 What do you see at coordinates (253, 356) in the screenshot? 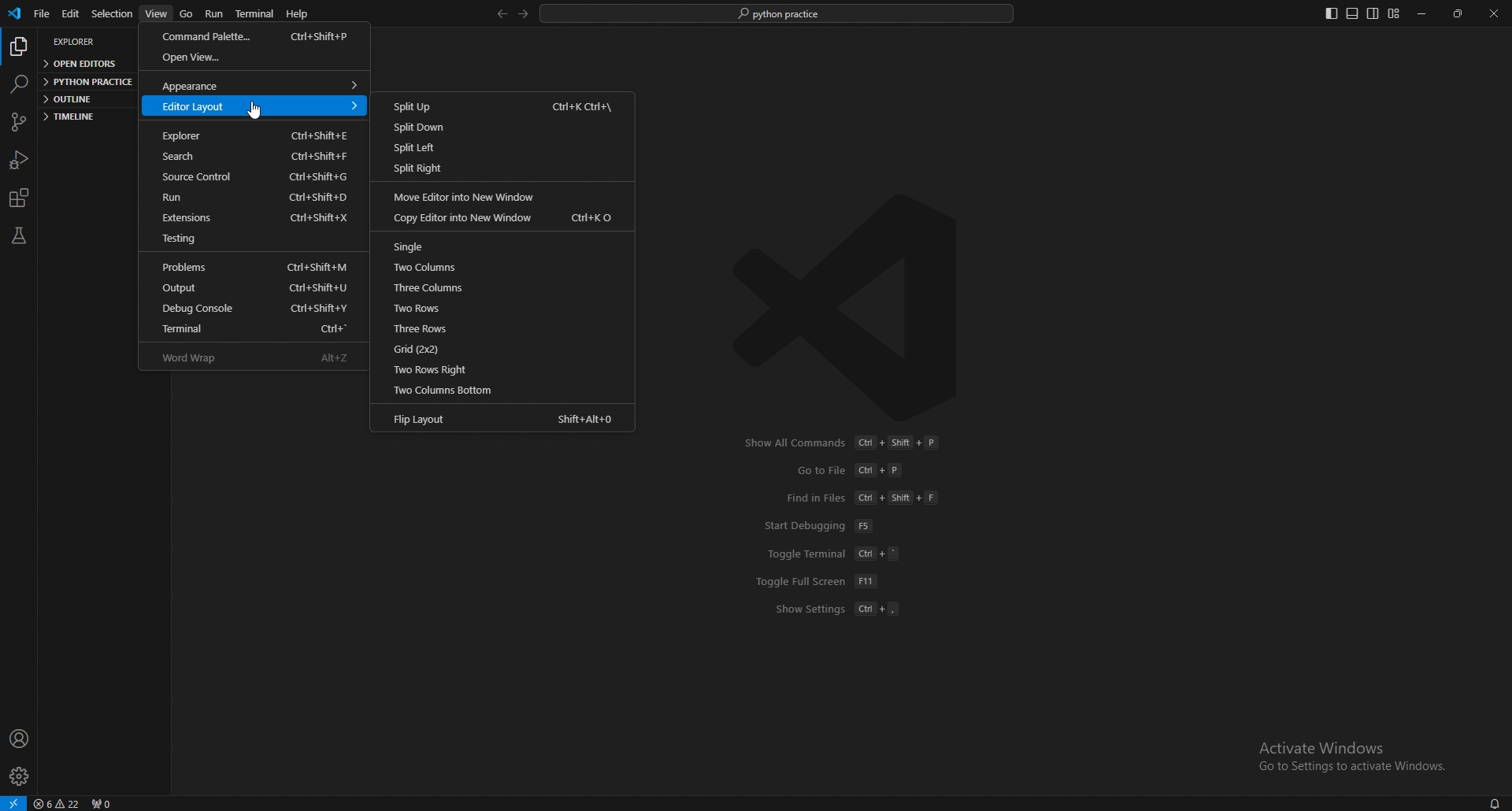
I see `word wrap alt+z` at bounding box center [253, 356].